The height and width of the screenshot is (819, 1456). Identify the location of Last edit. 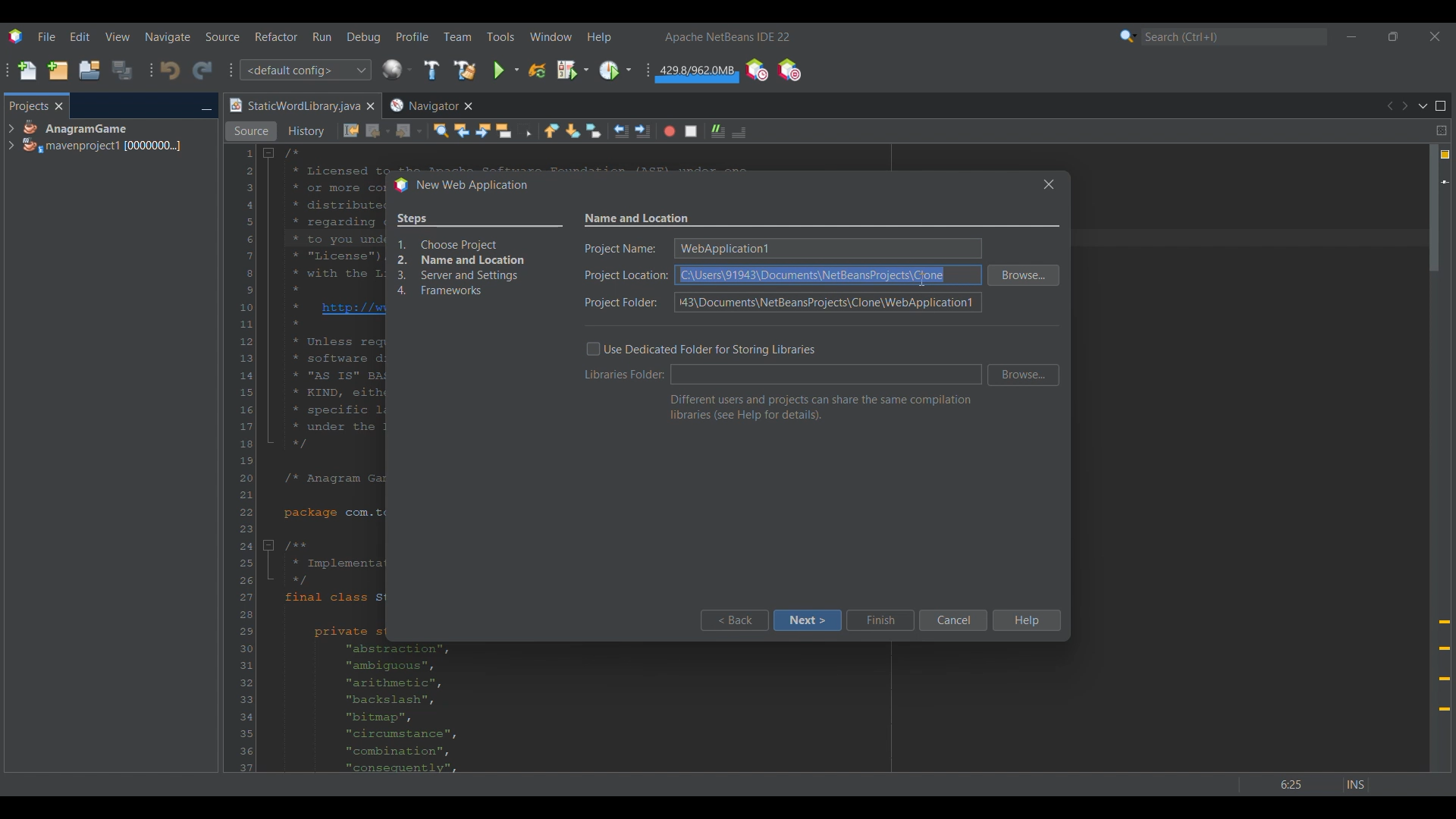
(351, 130).